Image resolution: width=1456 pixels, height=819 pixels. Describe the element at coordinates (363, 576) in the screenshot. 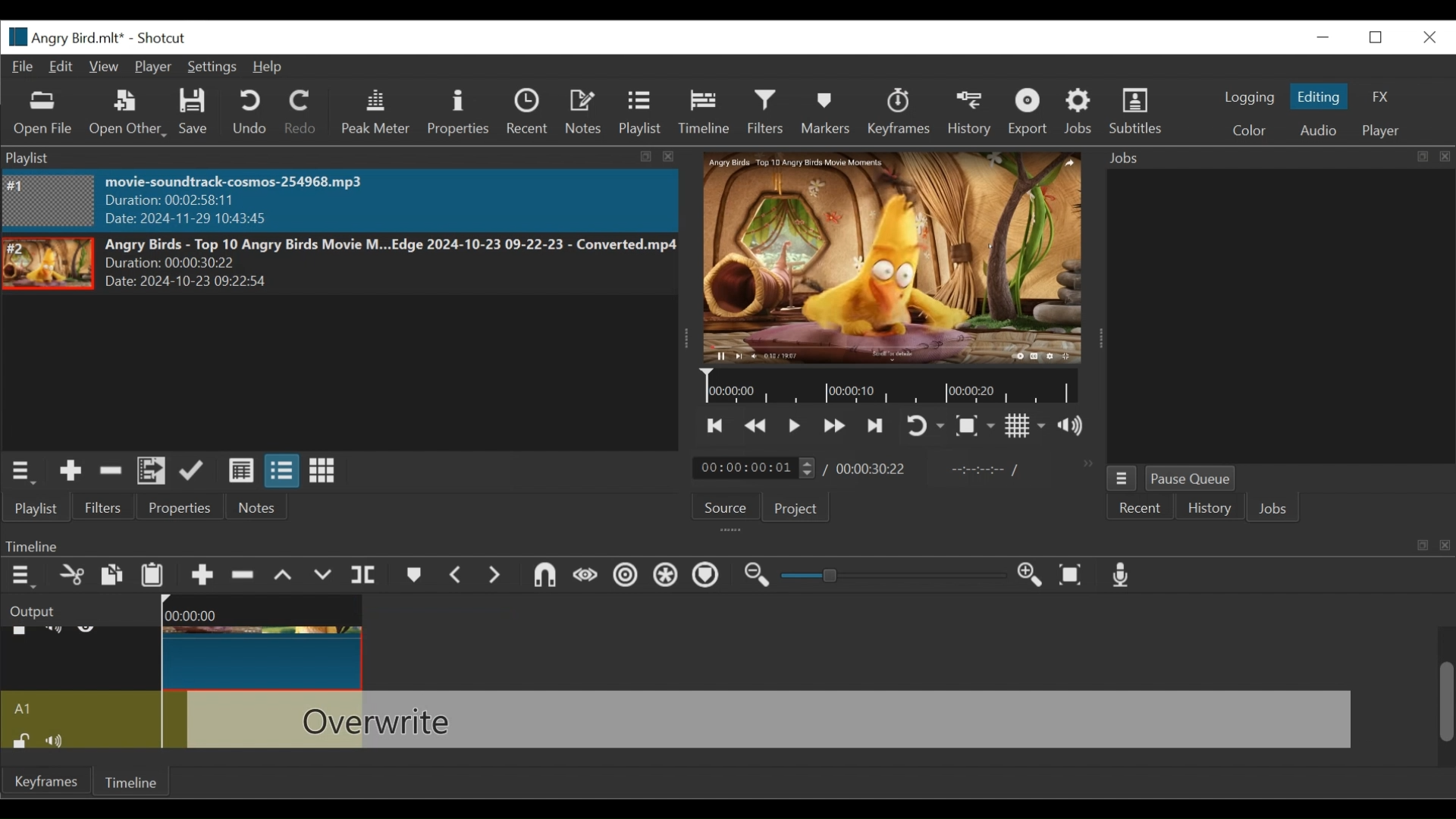

I see `Split Playhead` at that location.